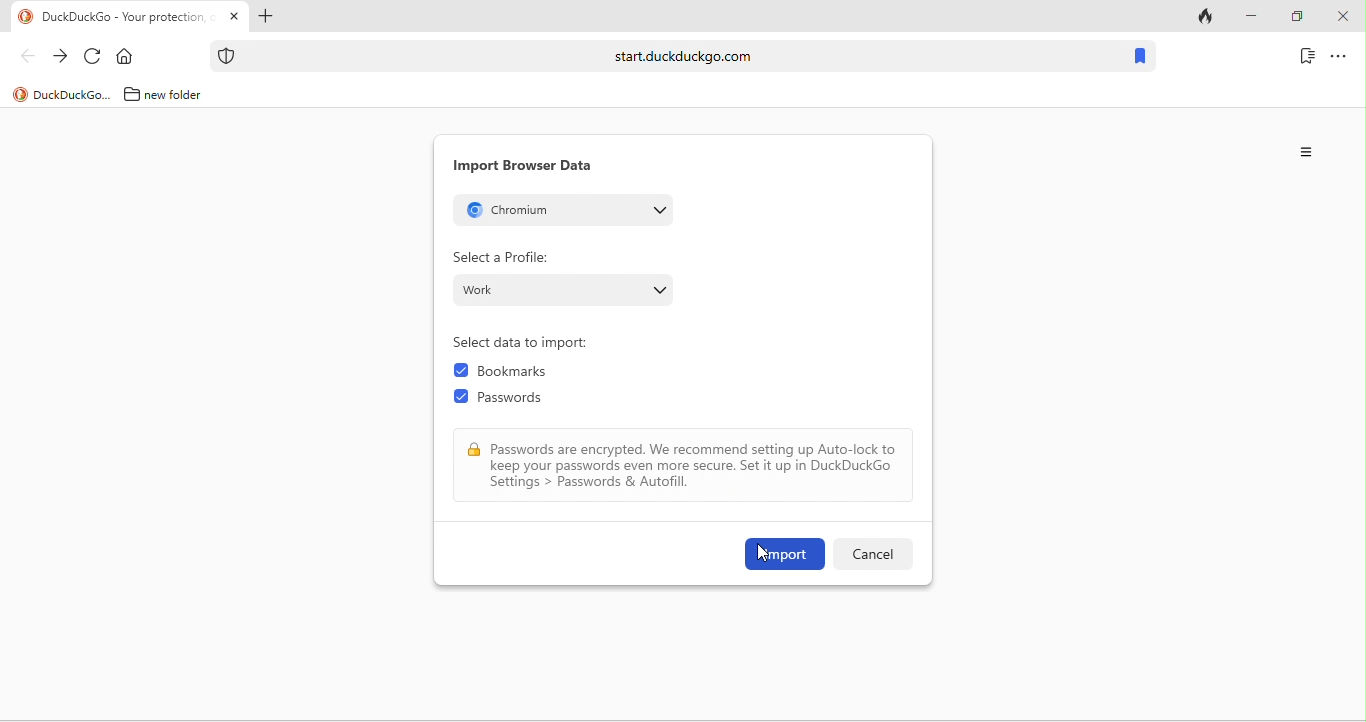  Describe the element at coordinates (785, 554) in the screenshot. I see `import` at that location.